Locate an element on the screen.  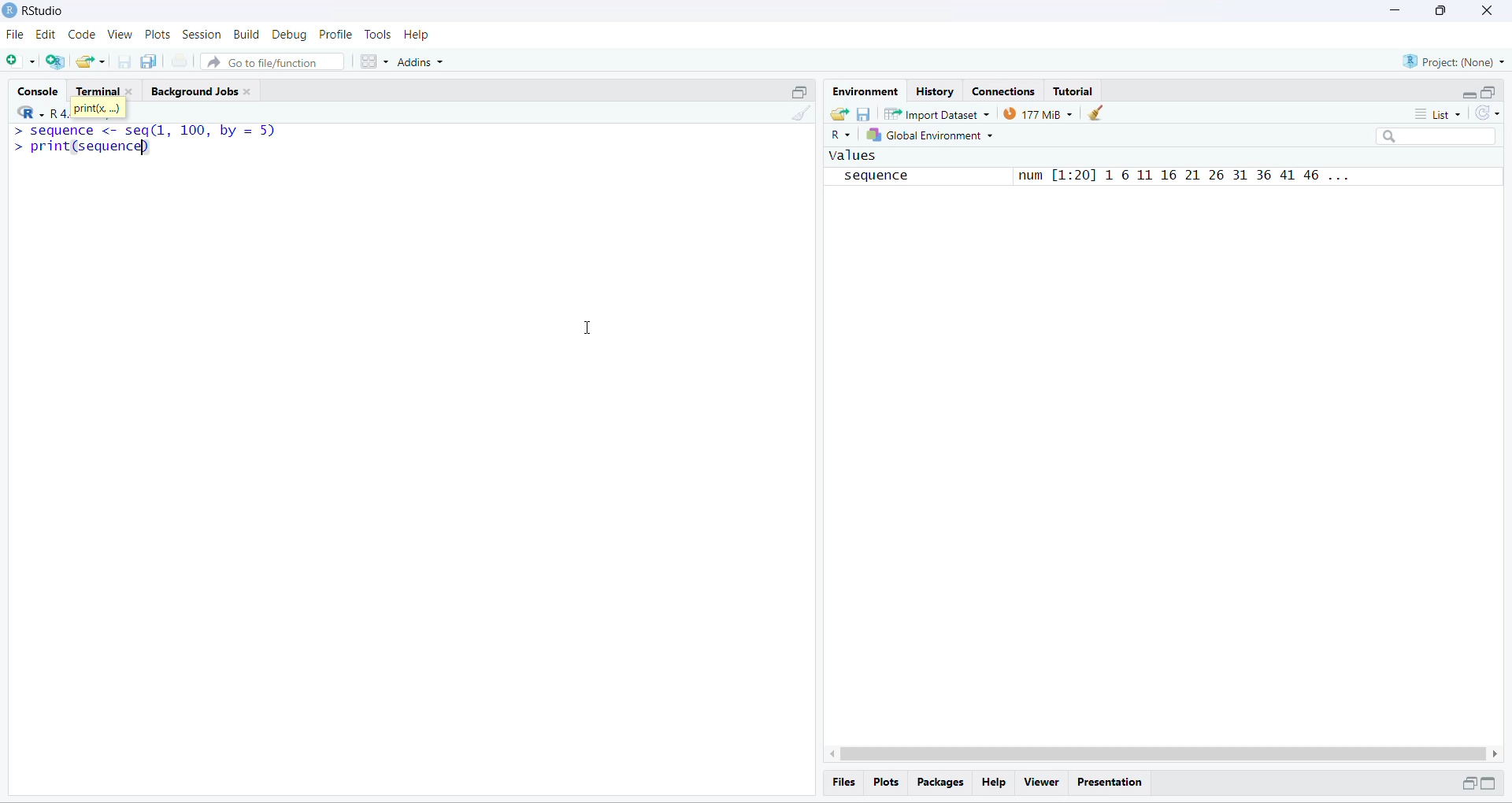
edit is located at coordinates (46, 35).